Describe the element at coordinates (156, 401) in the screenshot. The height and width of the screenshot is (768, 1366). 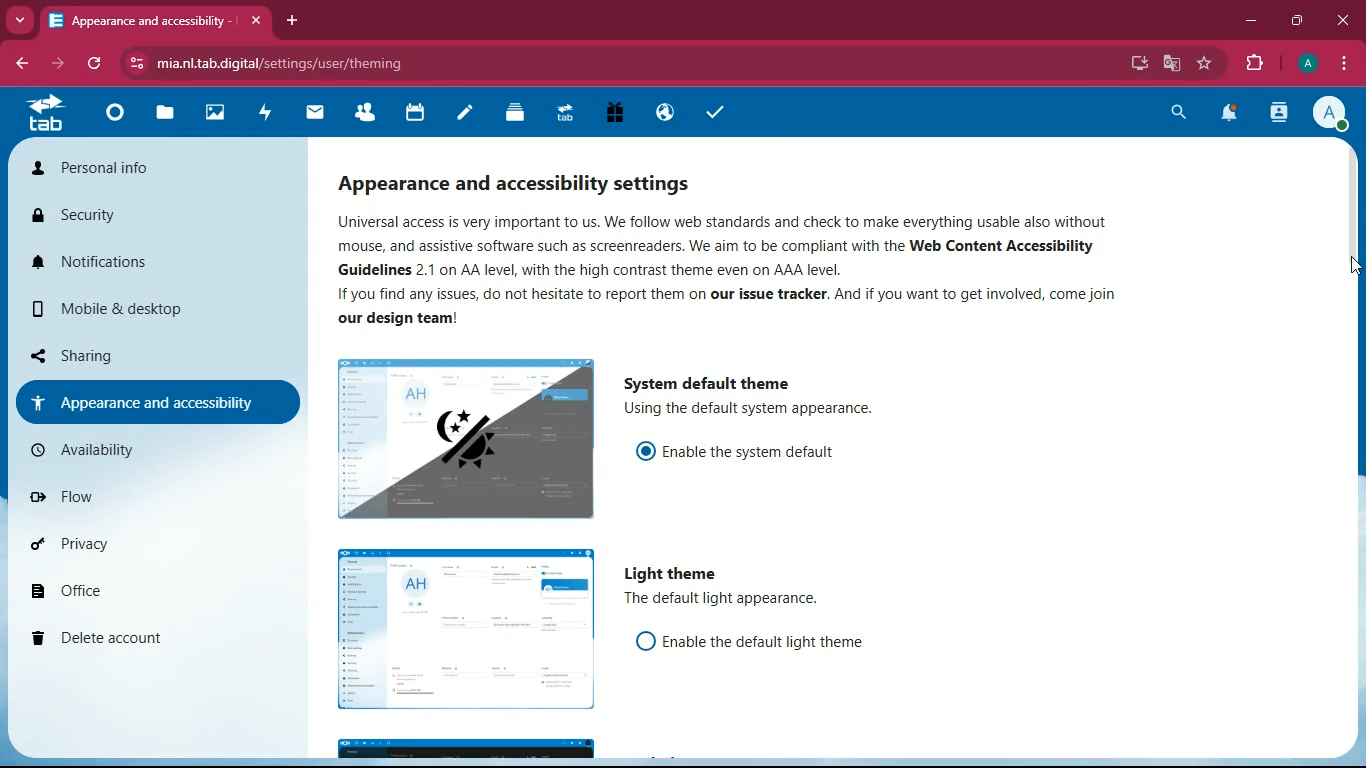
I see `appearance` at that location.